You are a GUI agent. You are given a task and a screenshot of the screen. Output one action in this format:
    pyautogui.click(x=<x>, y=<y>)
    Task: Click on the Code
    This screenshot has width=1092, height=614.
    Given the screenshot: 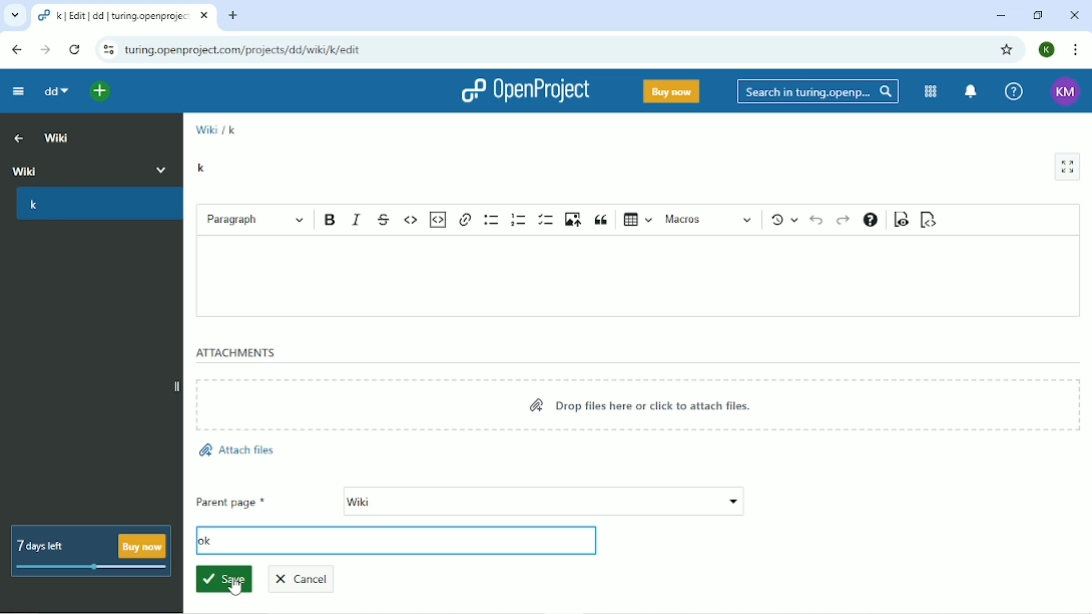 What is the action you would take?
    pyautogui.click(x=412, y=219)
    